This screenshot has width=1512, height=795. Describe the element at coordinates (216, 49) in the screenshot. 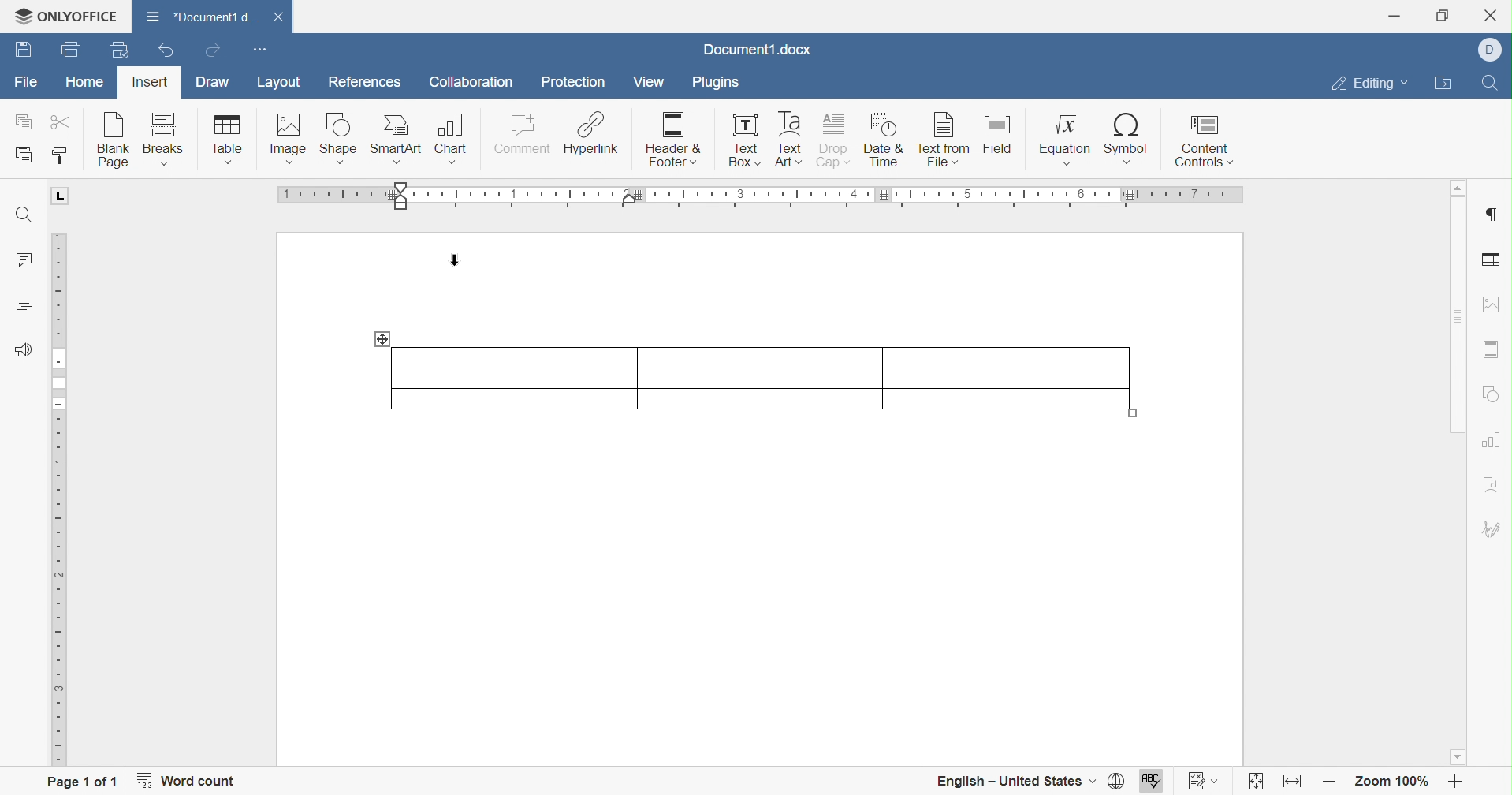

I see `Redo` at that location.